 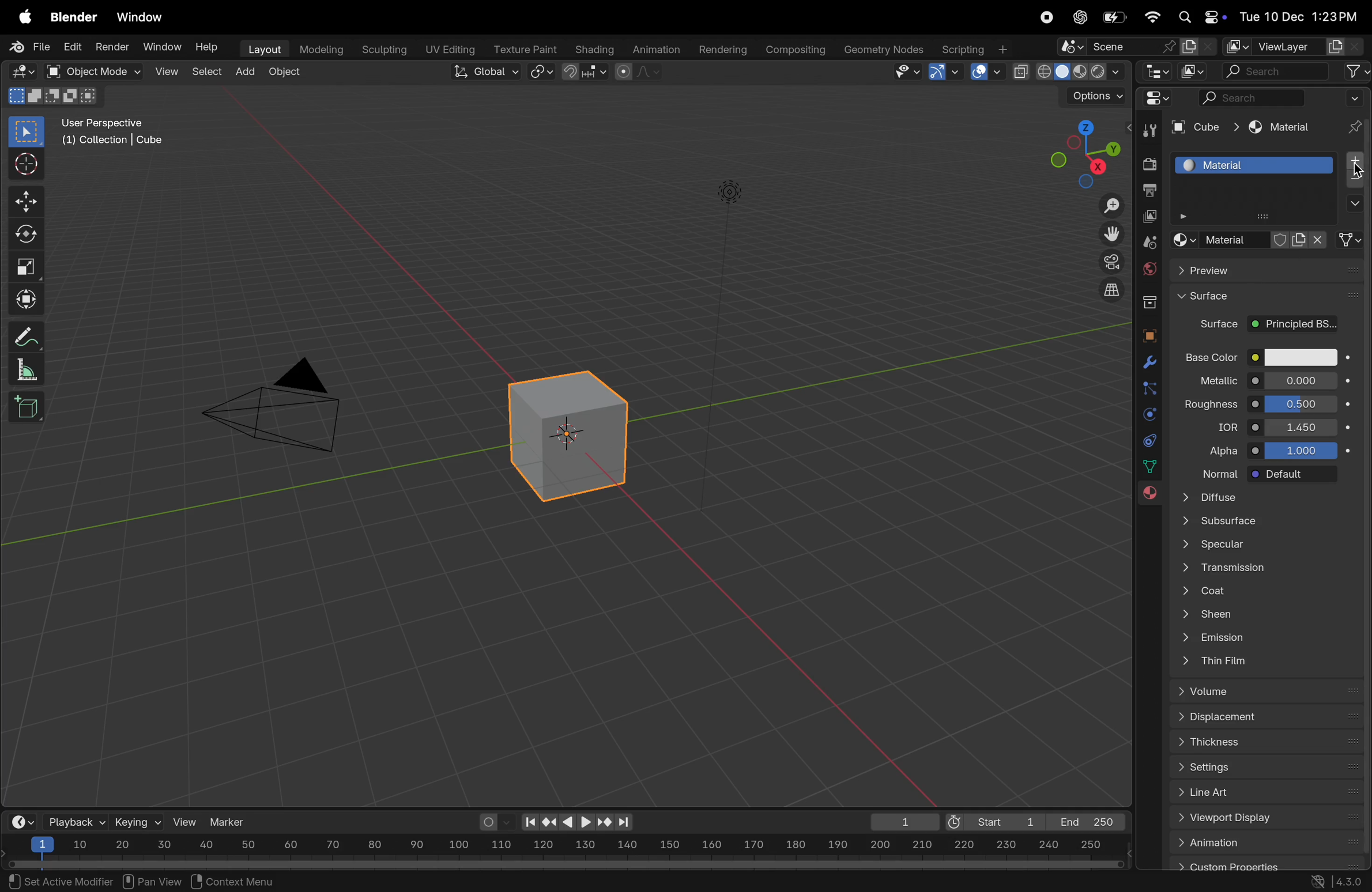 What do you see at coordinates (74, 821) in the screenshot?
I see `playback` at bounding box center [74, 821].